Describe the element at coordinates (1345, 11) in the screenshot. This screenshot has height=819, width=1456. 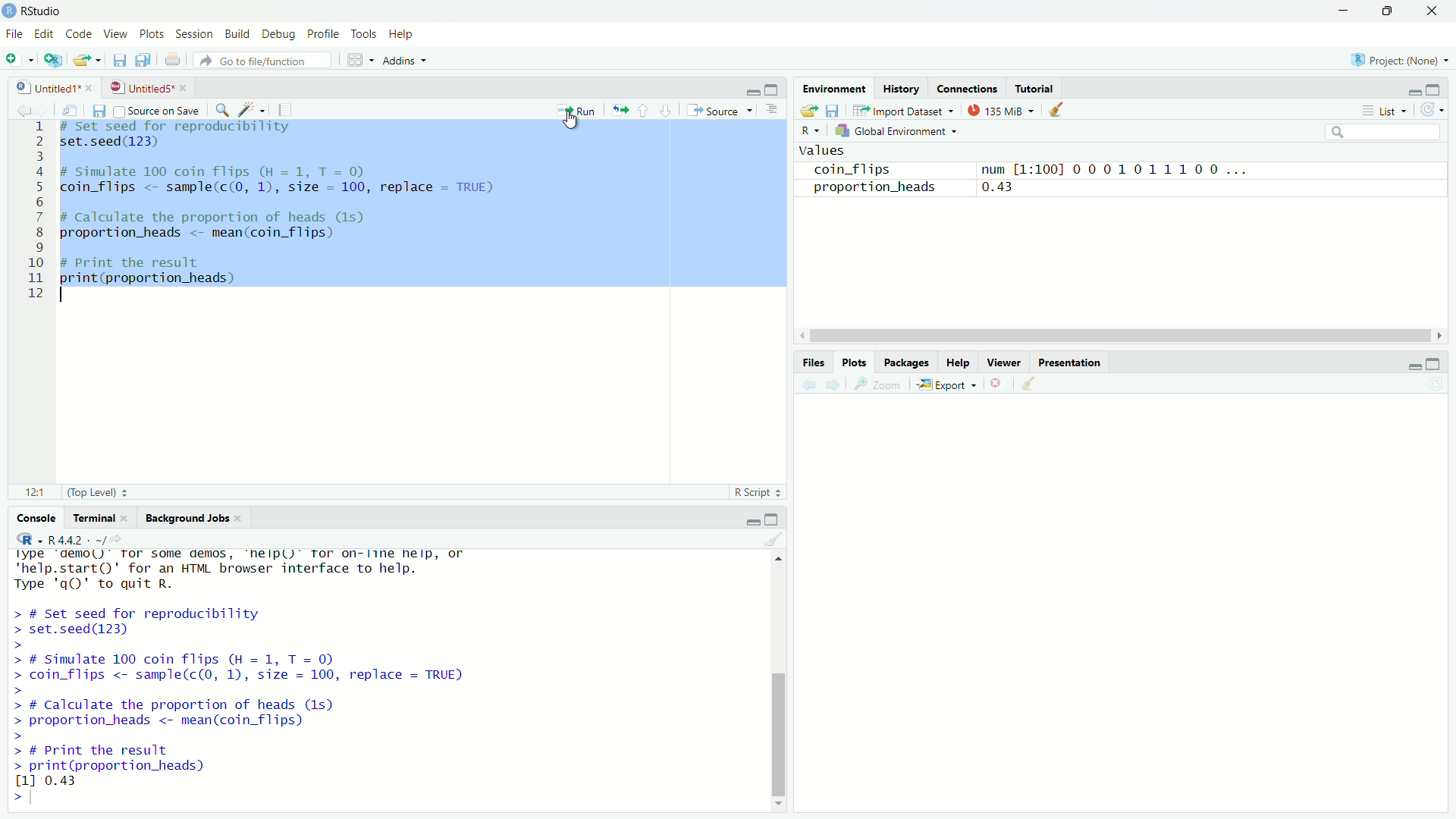
I see `minimize` at that location.